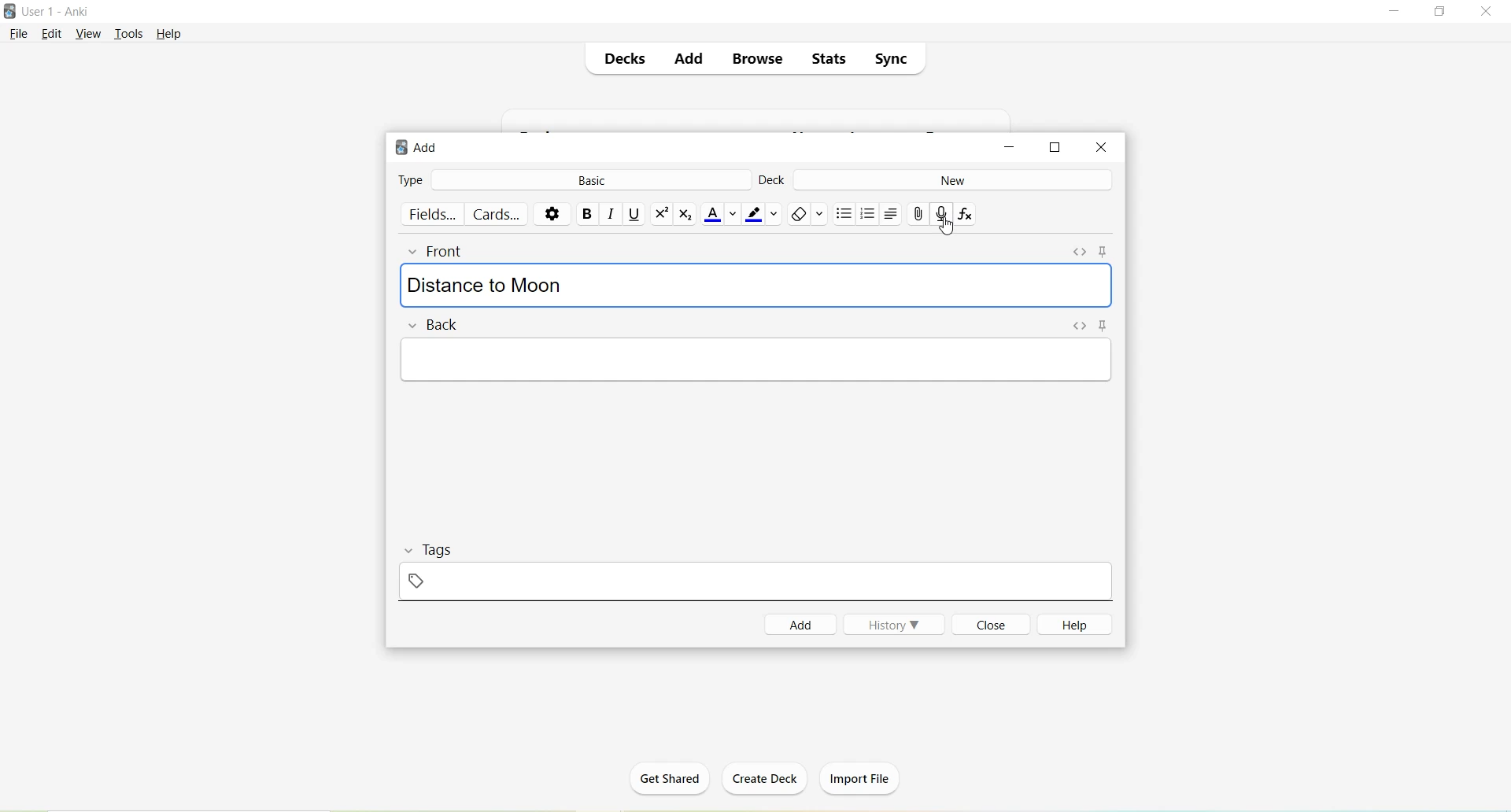 This screenshot has width=1511, height=812. Describe the element at coordinates (1055, 148) in the screenshot. I see `Maximize` at that location.